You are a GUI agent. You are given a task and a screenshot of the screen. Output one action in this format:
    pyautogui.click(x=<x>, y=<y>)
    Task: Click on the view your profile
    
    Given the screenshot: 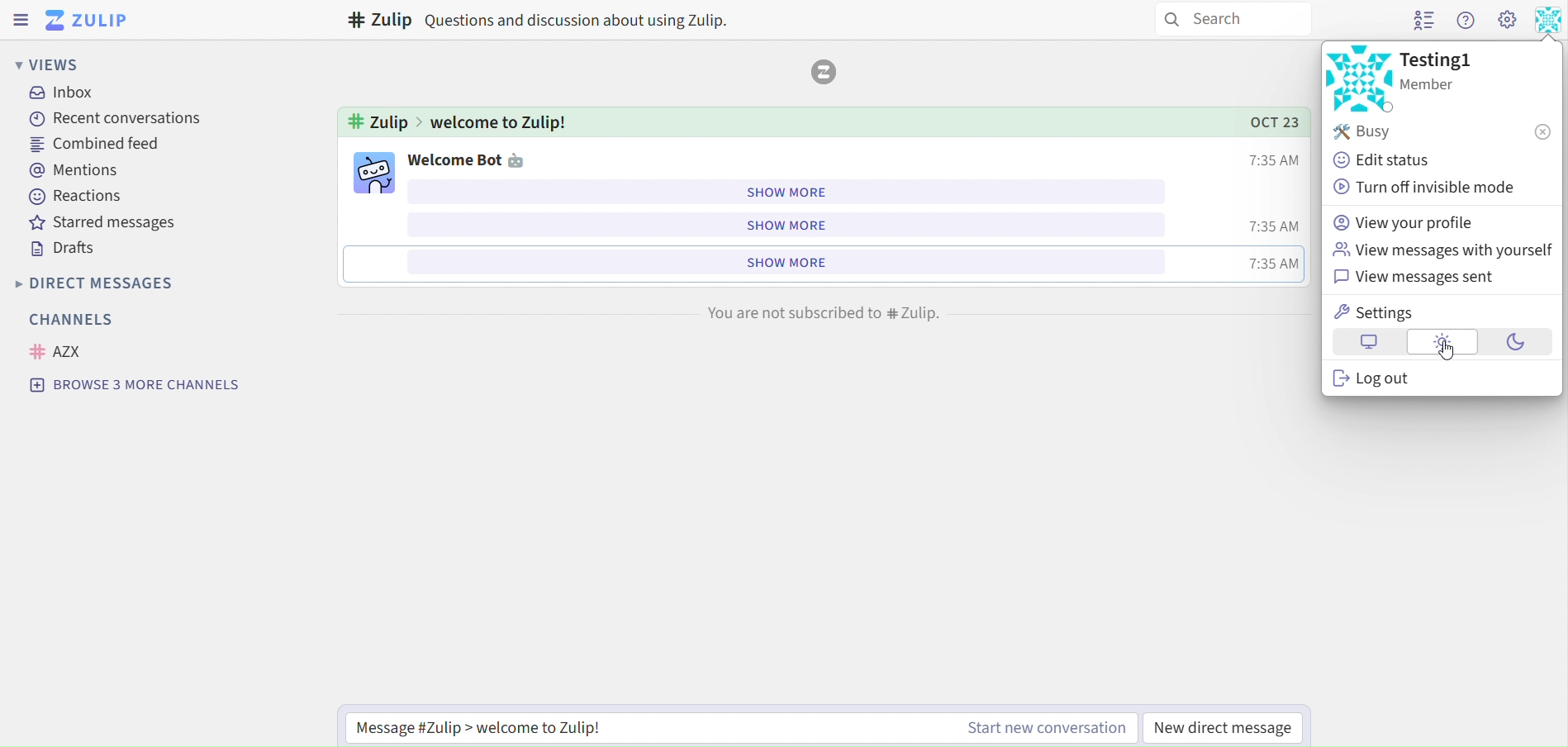 What is the action you would take?
    pyautogui.click(x=1412, y=224)
    